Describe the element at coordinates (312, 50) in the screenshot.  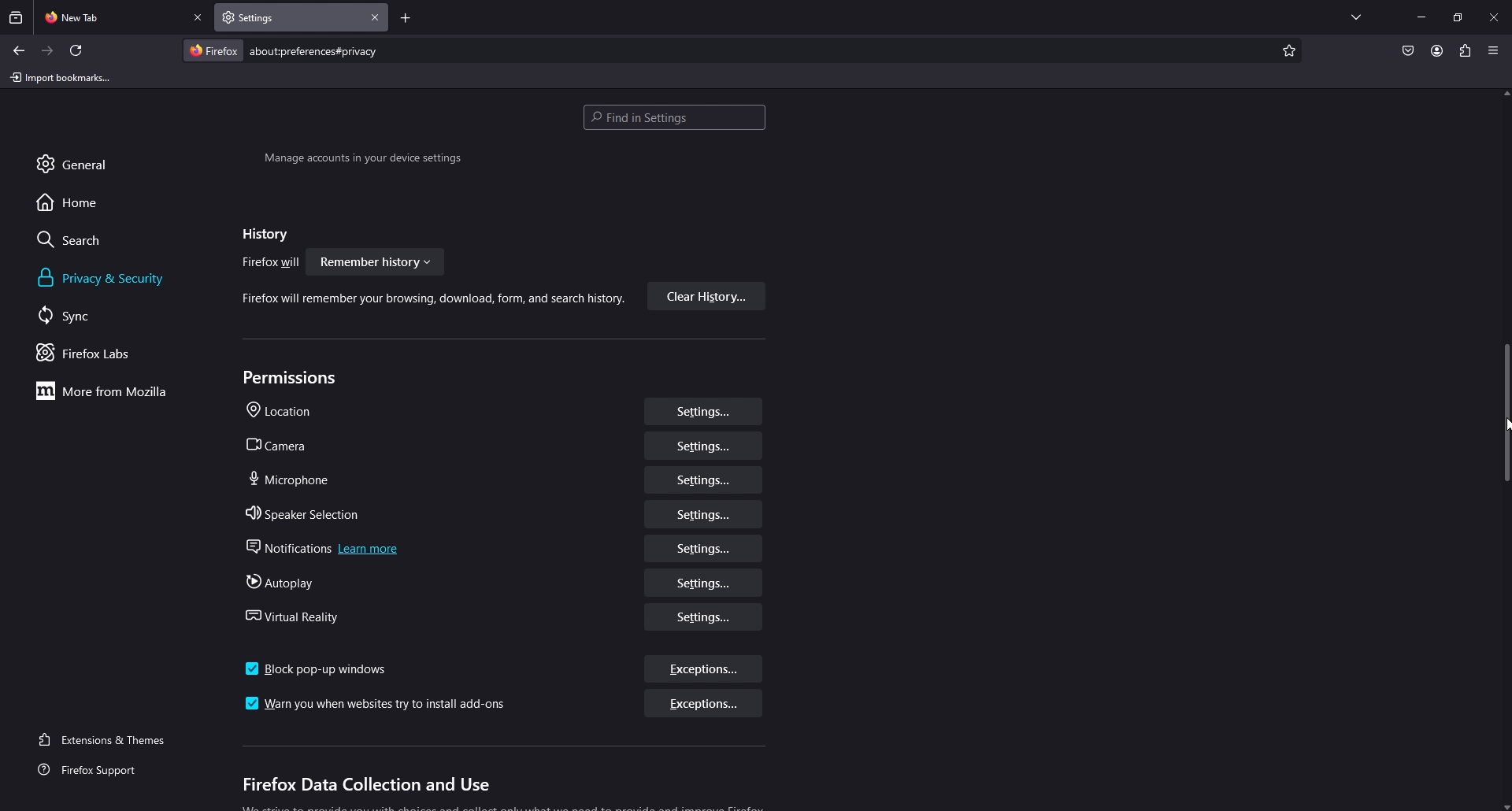
I see `search bar: about preferences#privacy` at that location.